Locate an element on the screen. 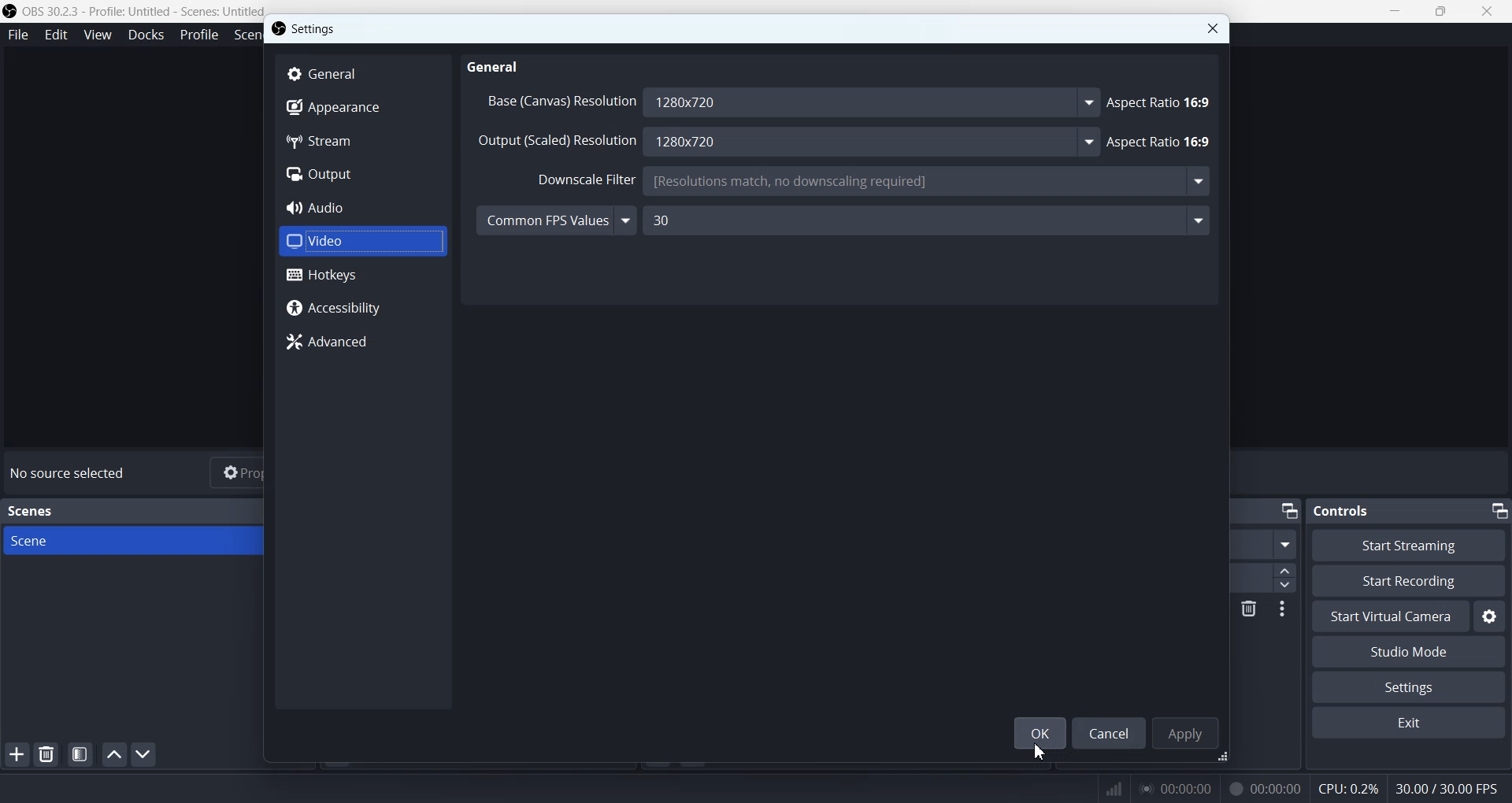 Image resolution: width=1512 pixels, height=803 pixels. 30.00 / 30.00 FPS is located at coordinates (1451, 788).